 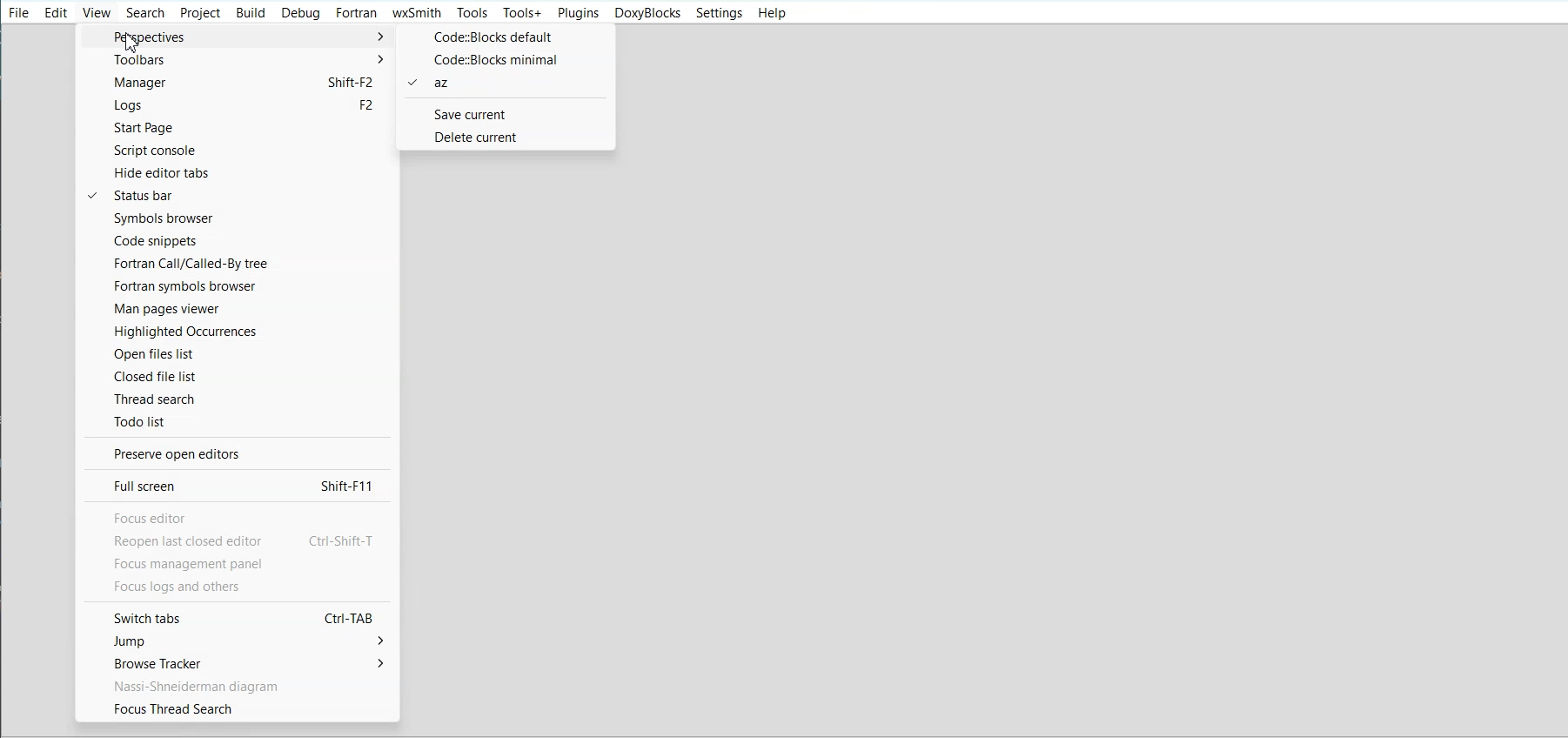 I want to click on Full screen, so click(x=236, y=486).